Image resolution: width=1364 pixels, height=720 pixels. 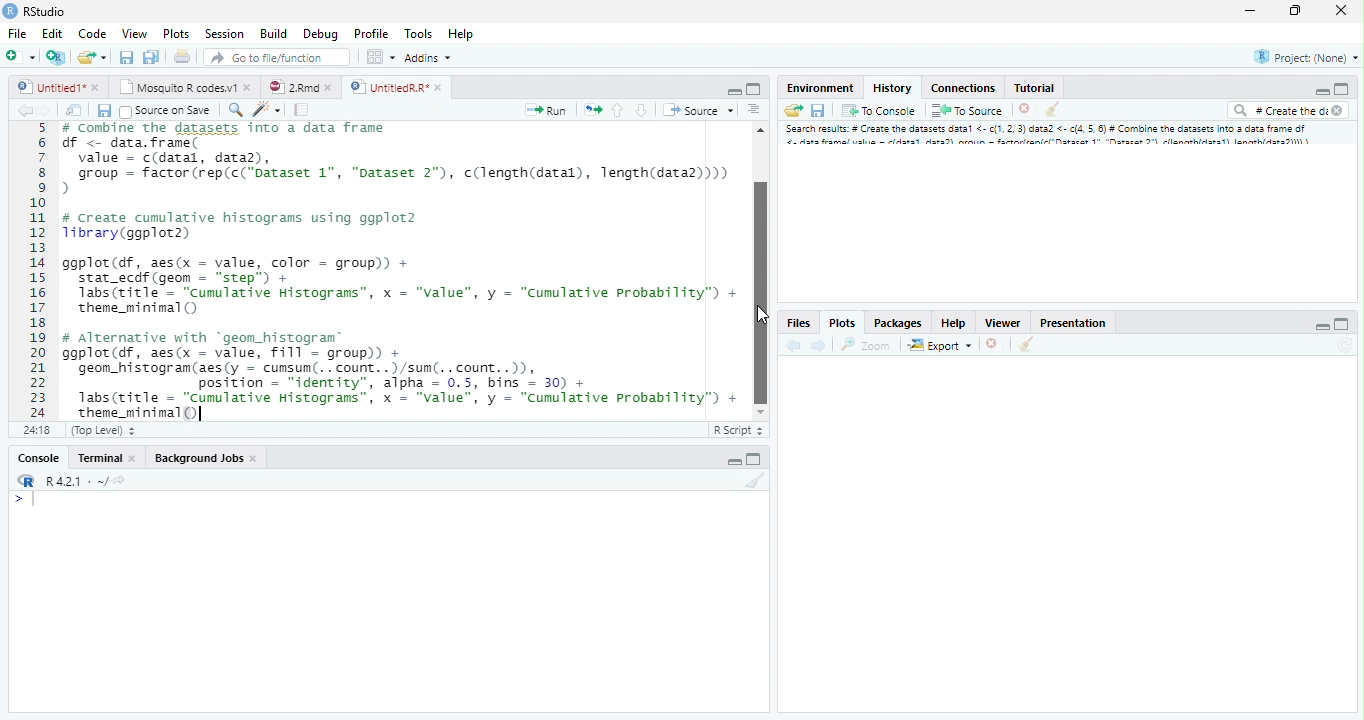 What do you see at coordinates (738, 430) in the screenshot?
I see `R Script` at bounding box center [738, 430].